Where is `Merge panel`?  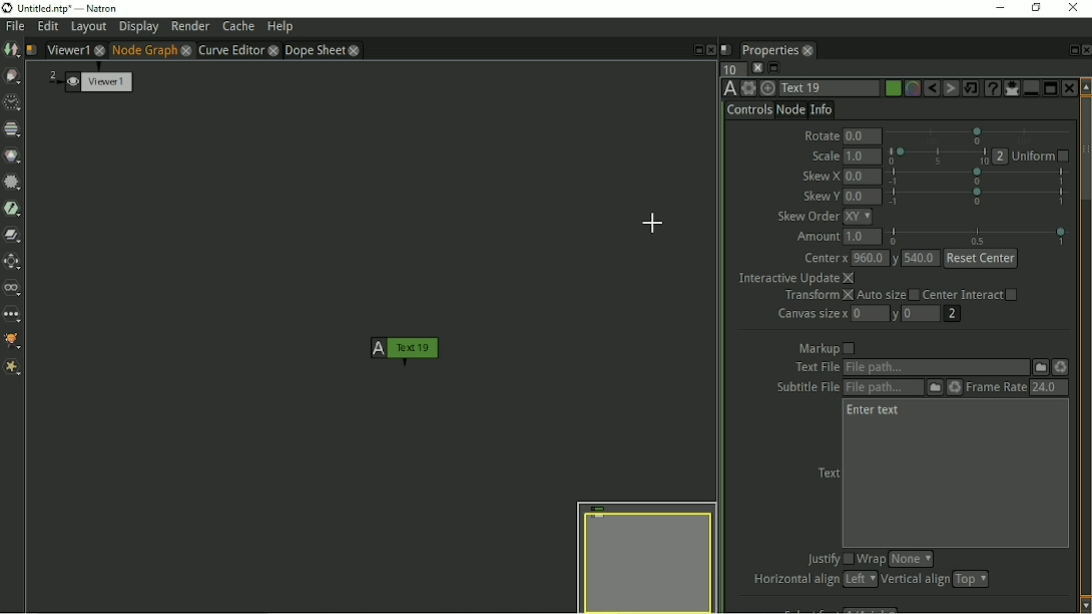
Merge panel is located at coordinates (1030, 88).